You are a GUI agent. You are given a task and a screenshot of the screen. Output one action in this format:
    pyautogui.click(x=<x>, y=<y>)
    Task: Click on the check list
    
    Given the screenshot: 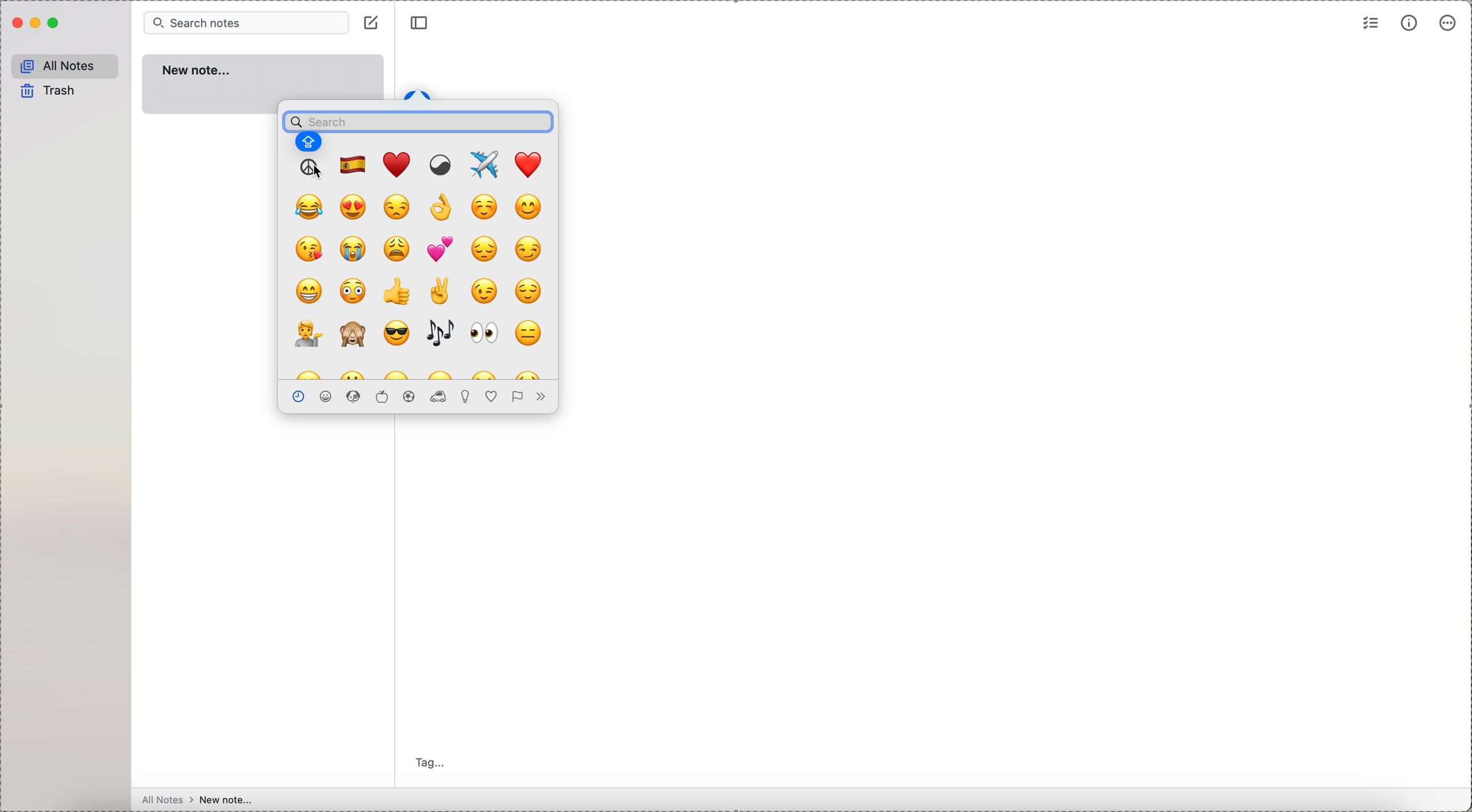 What is the action you would take?
    pyautogui.click(x=1370, y=24)
    